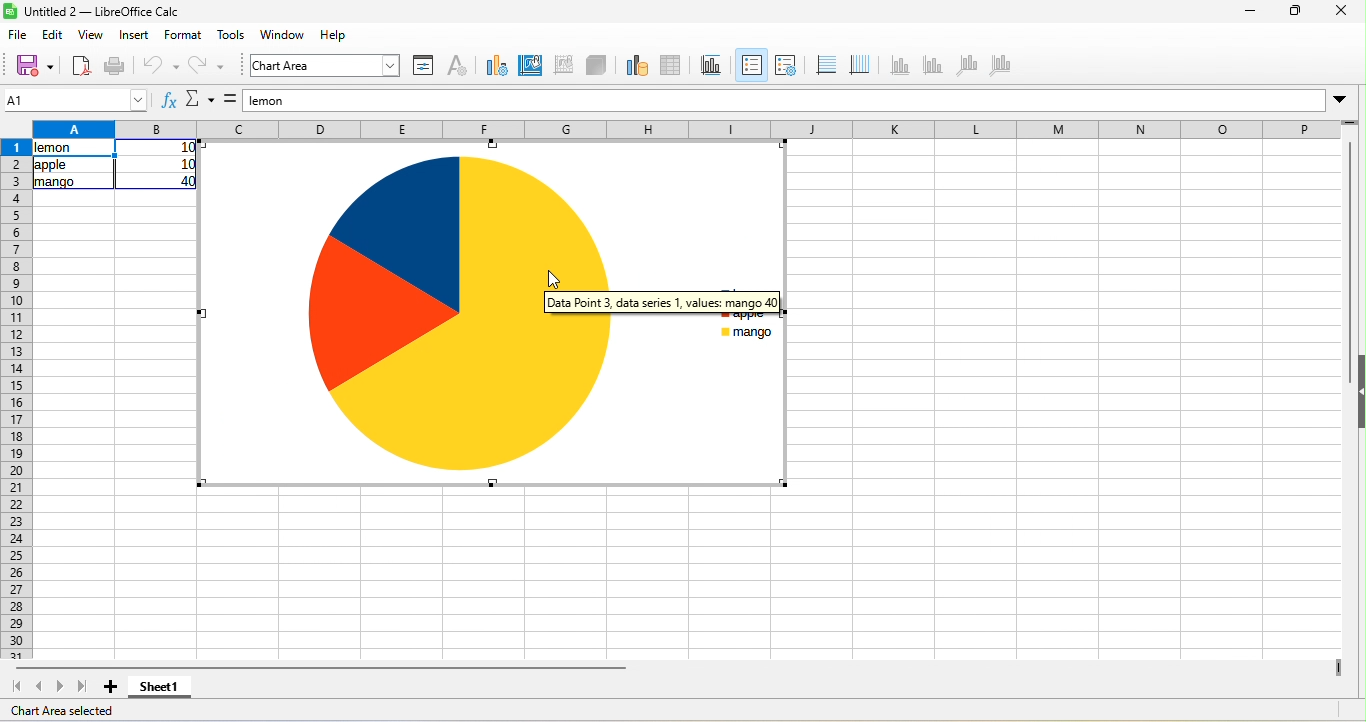  Describe the element at coordinates (164, 65) in the screenshot. I see `undo` at that location.